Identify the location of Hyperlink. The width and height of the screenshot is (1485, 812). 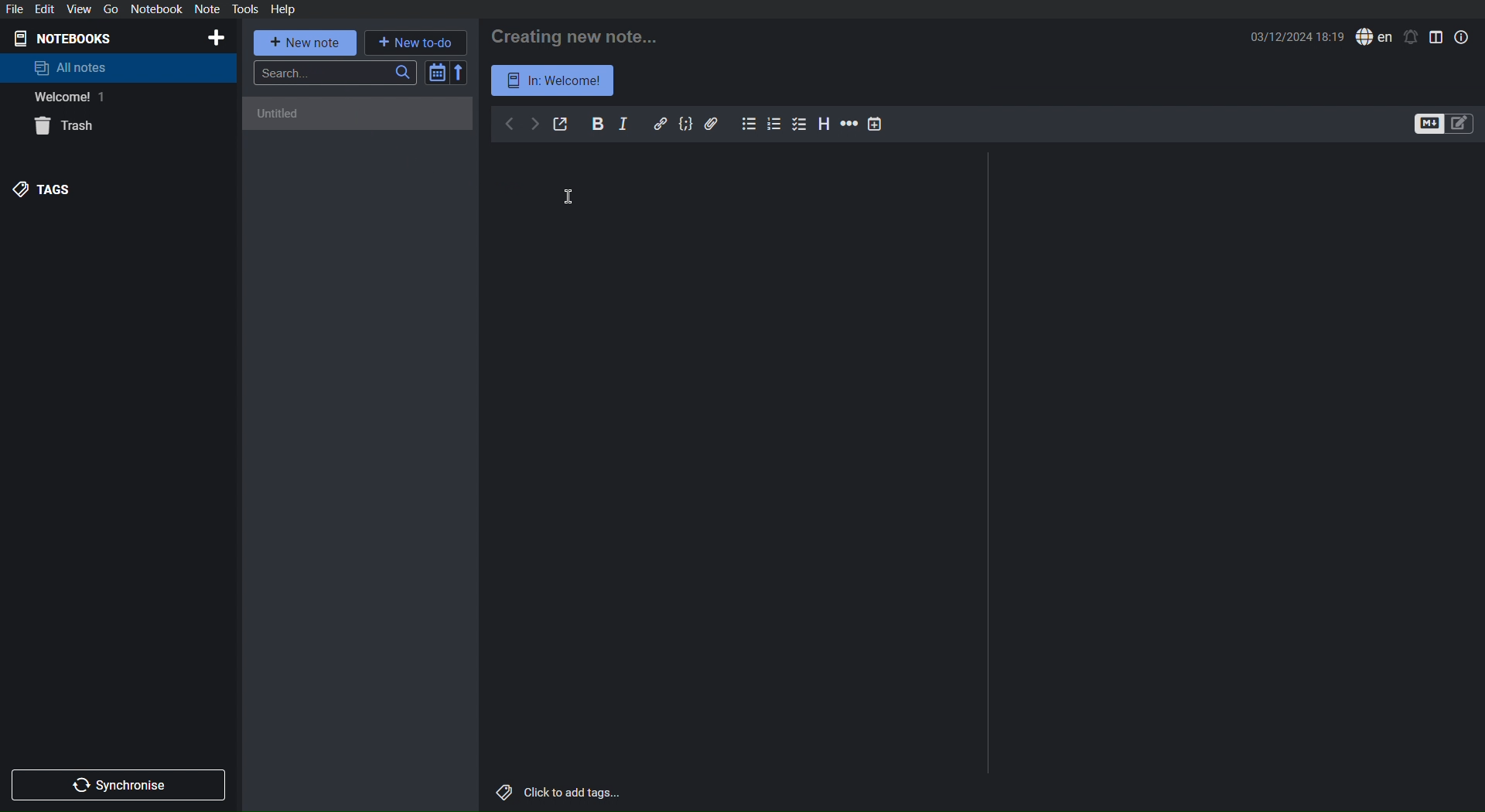
(661, 124).